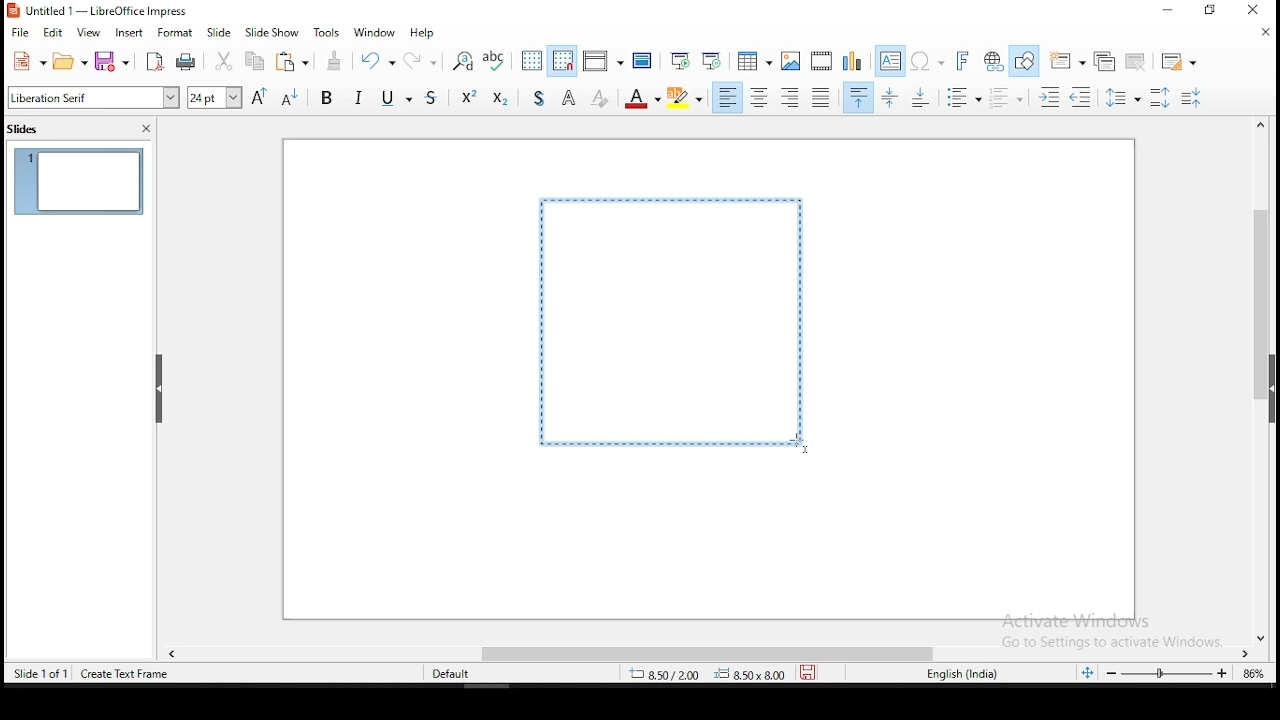  I want to click on save, so click(112, 60).